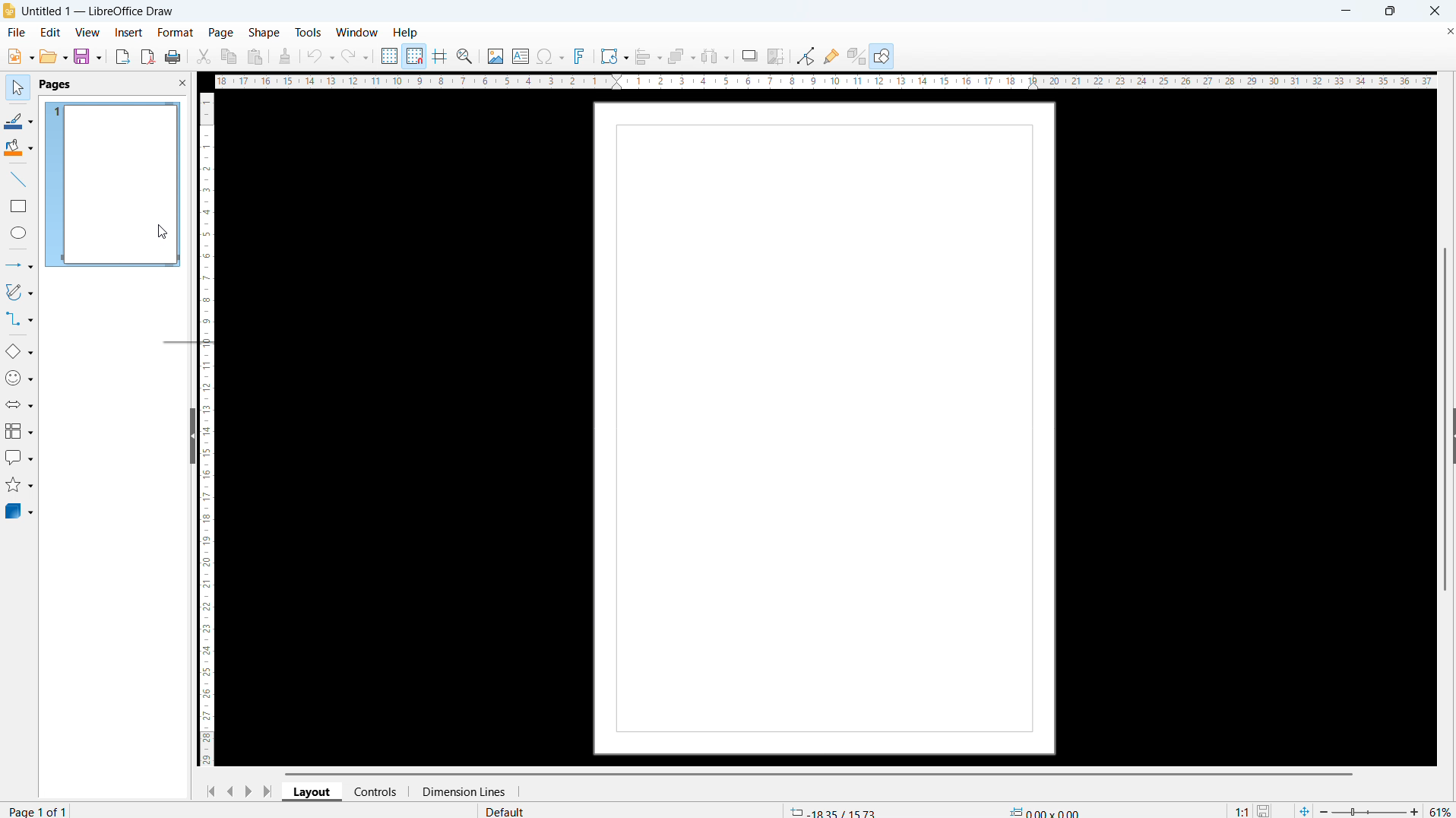 The height and width of the screenshot is (818, 1456). I want to click on go to last page, so click(267, 791).